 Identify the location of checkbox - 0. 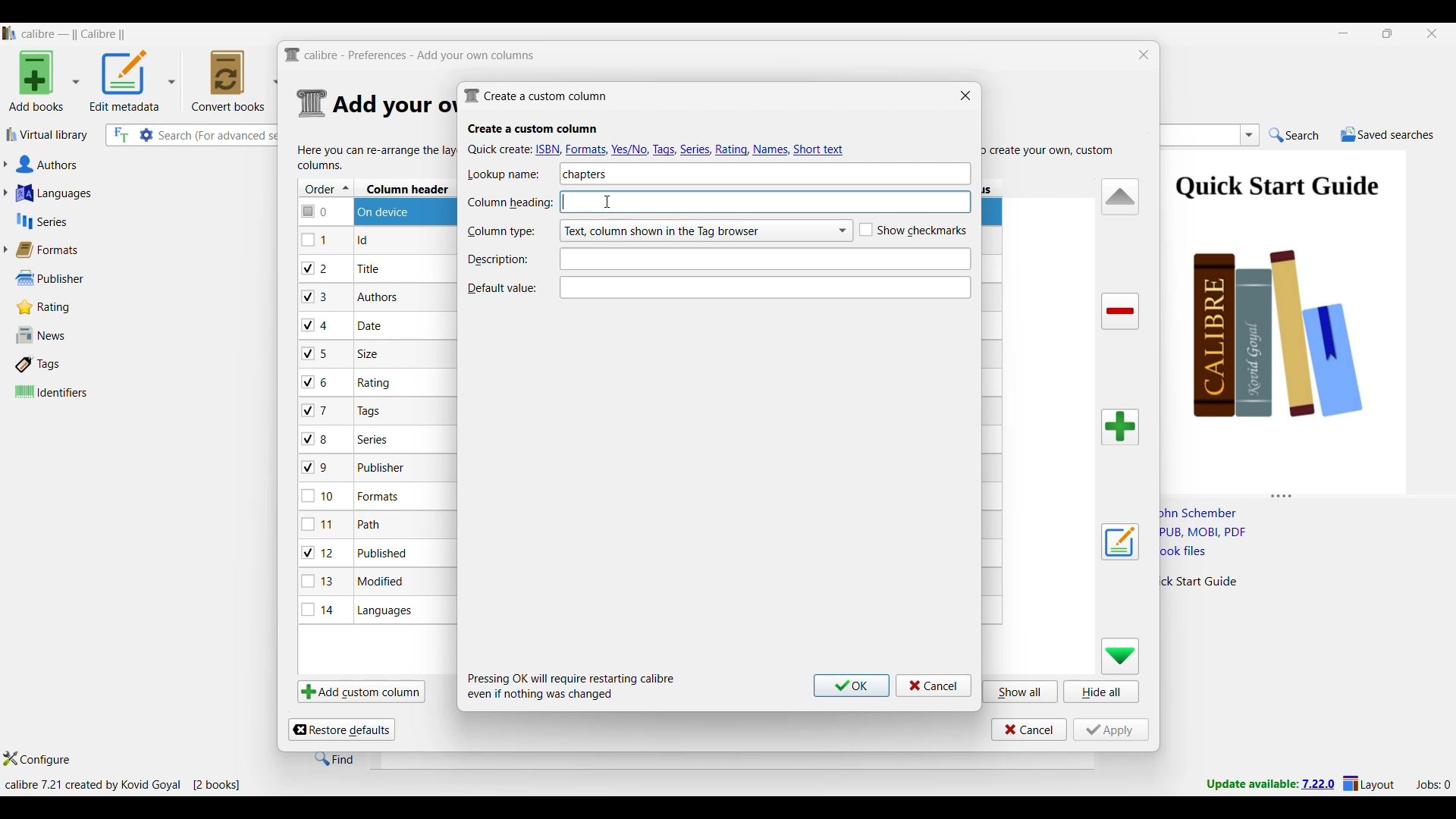
(316, 210).